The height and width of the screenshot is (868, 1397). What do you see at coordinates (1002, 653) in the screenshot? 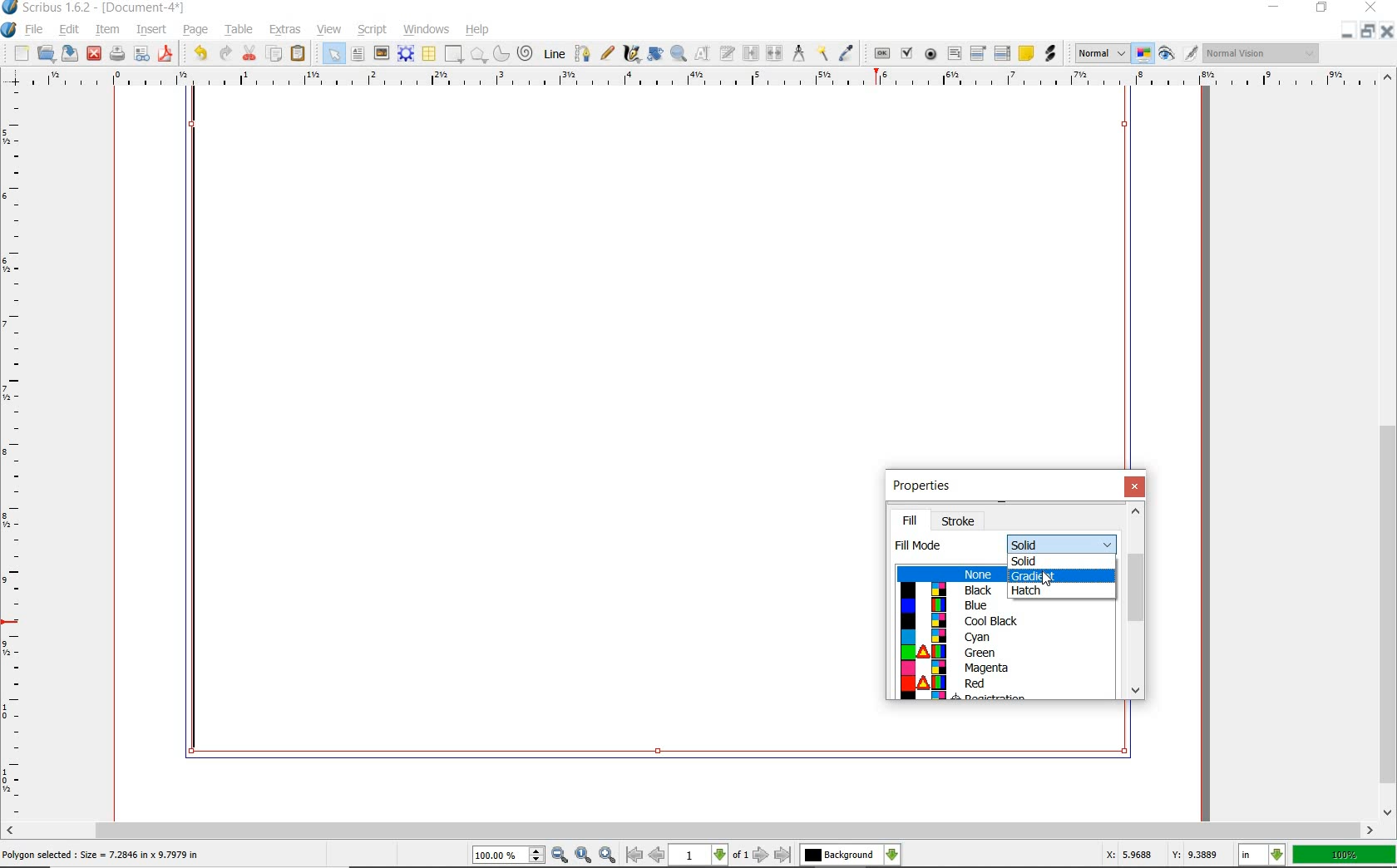
I see `Green` at bounding box center [1002, 653].